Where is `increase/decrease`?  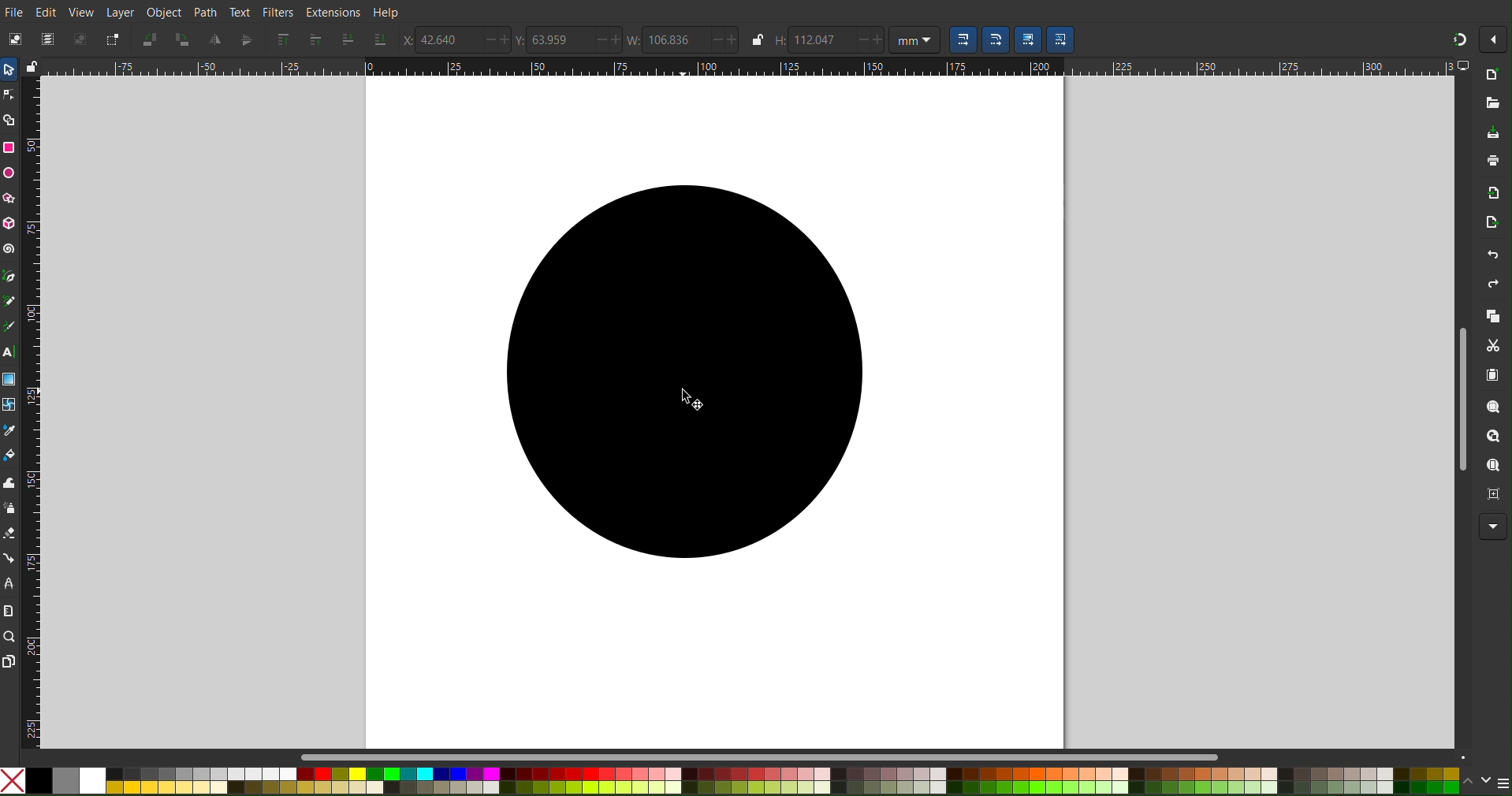
increase/decrease is located at coordinates (870, 39).